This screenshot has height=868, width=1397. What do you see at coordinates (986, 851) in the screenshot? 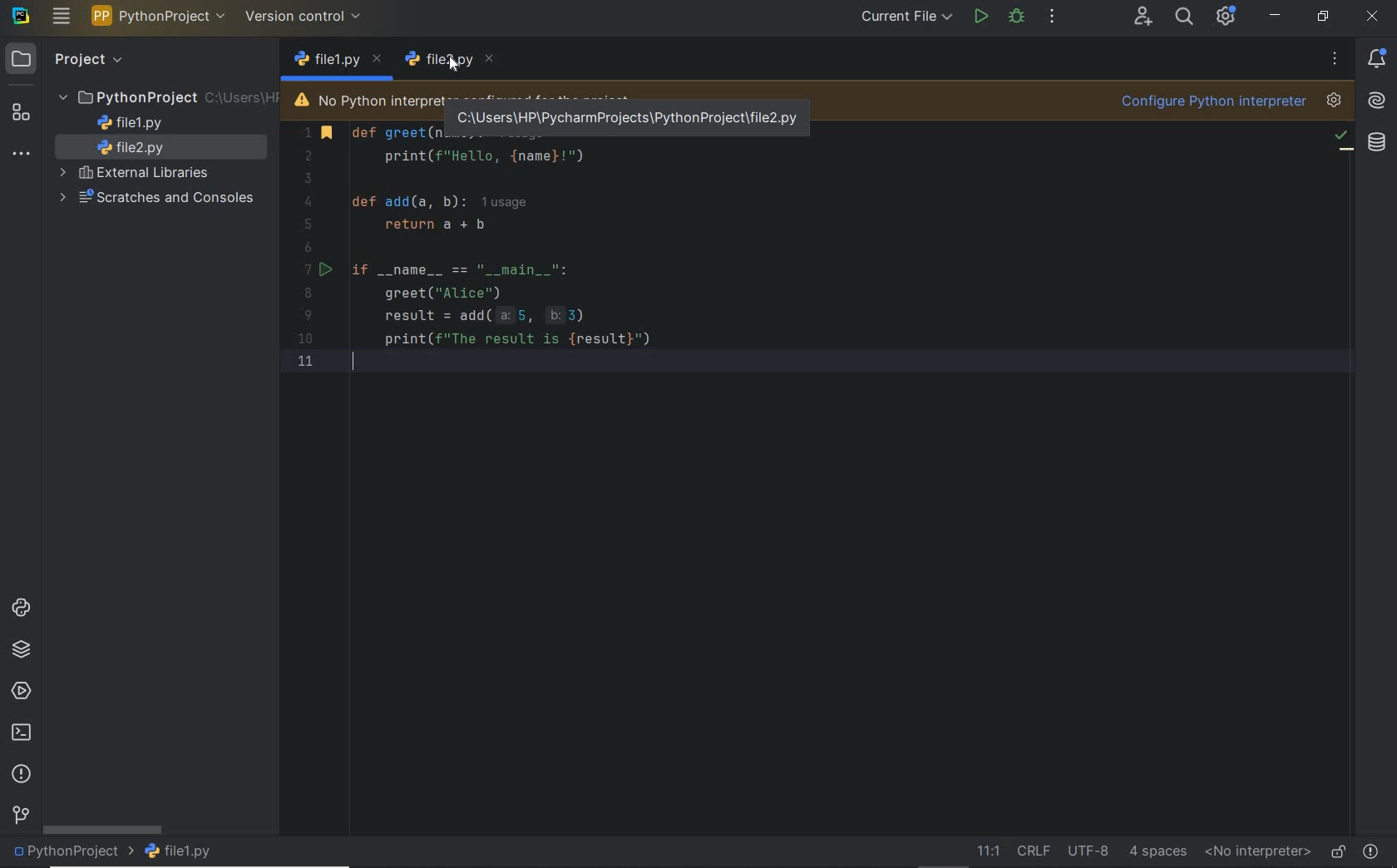
I see `go to line` at bounding box center [986, 851].